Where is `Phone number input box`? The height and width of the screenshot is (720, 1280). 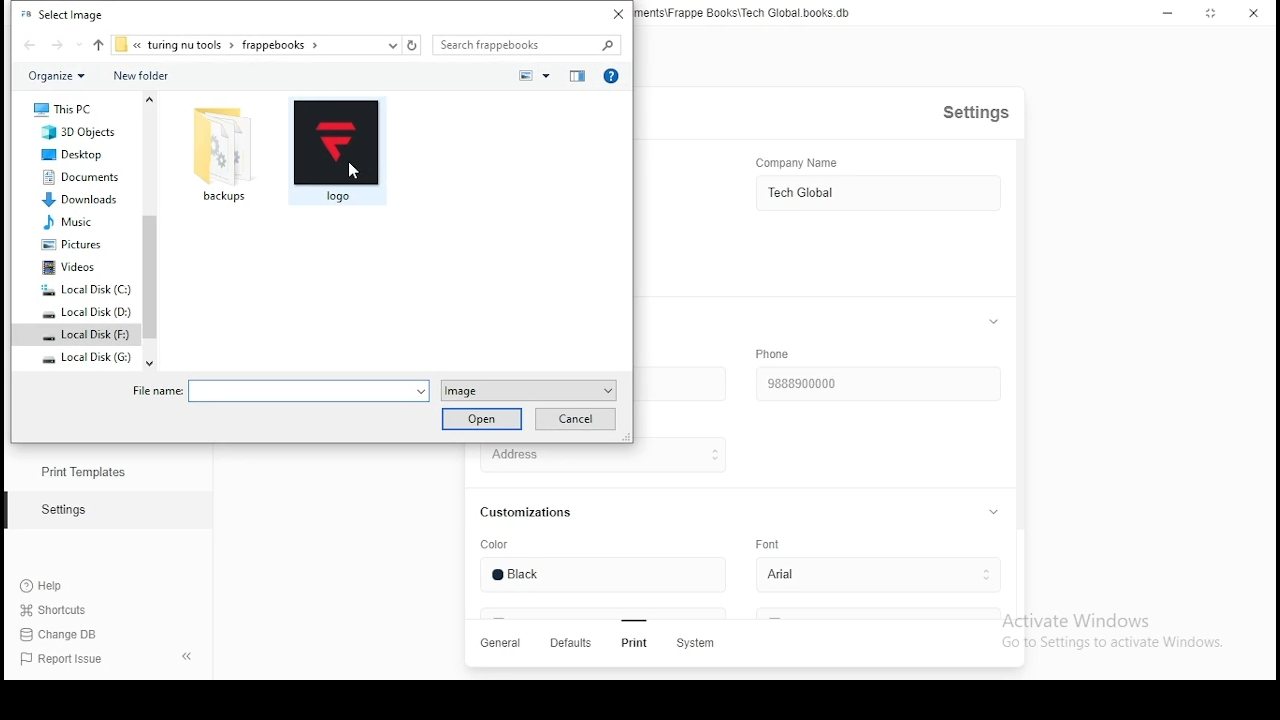
Phone number input box is located at coordinates (877, 382).